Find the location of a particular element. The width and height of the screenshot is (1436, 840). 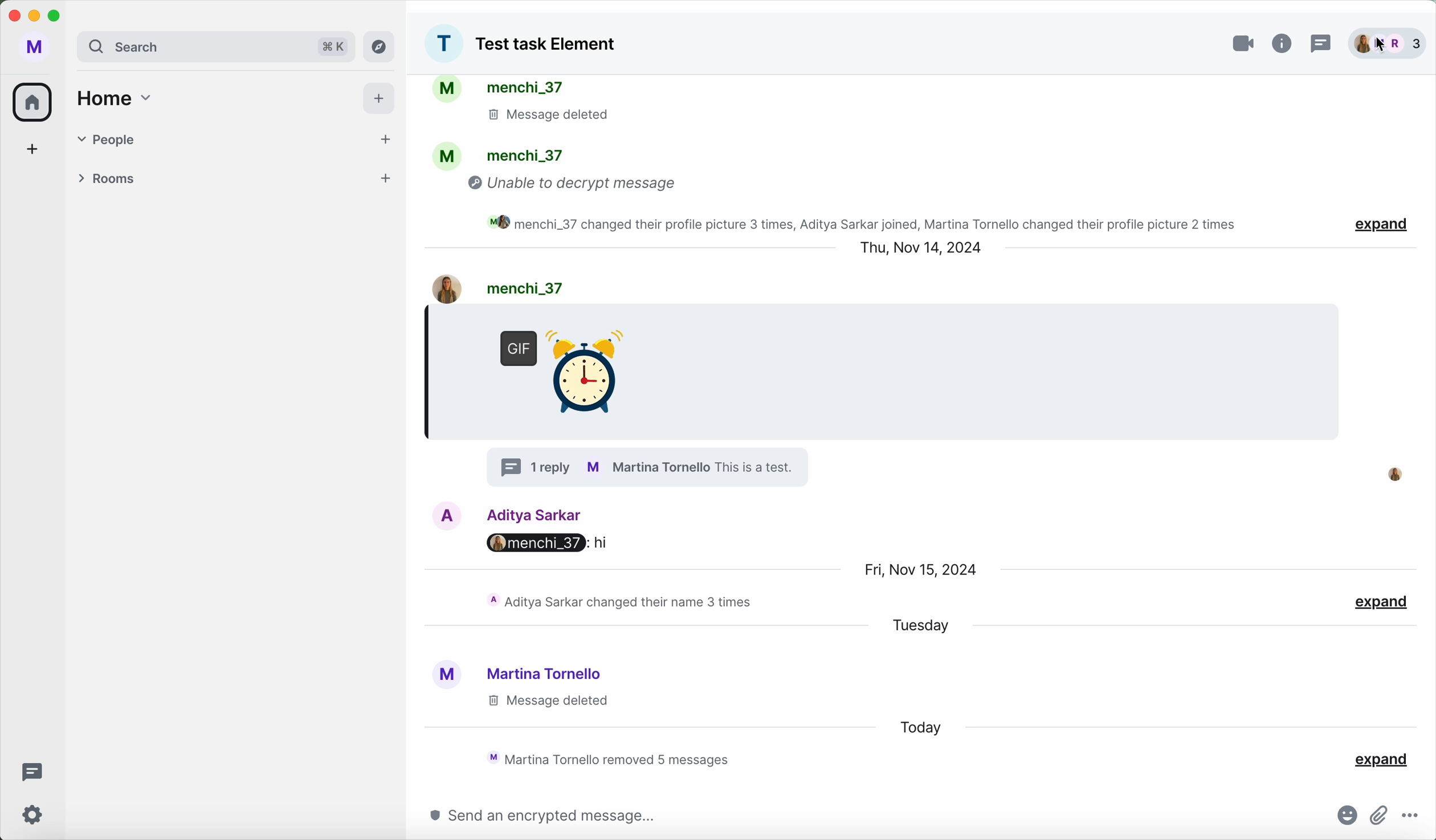

attach file is located at coordinates (1380, 816).